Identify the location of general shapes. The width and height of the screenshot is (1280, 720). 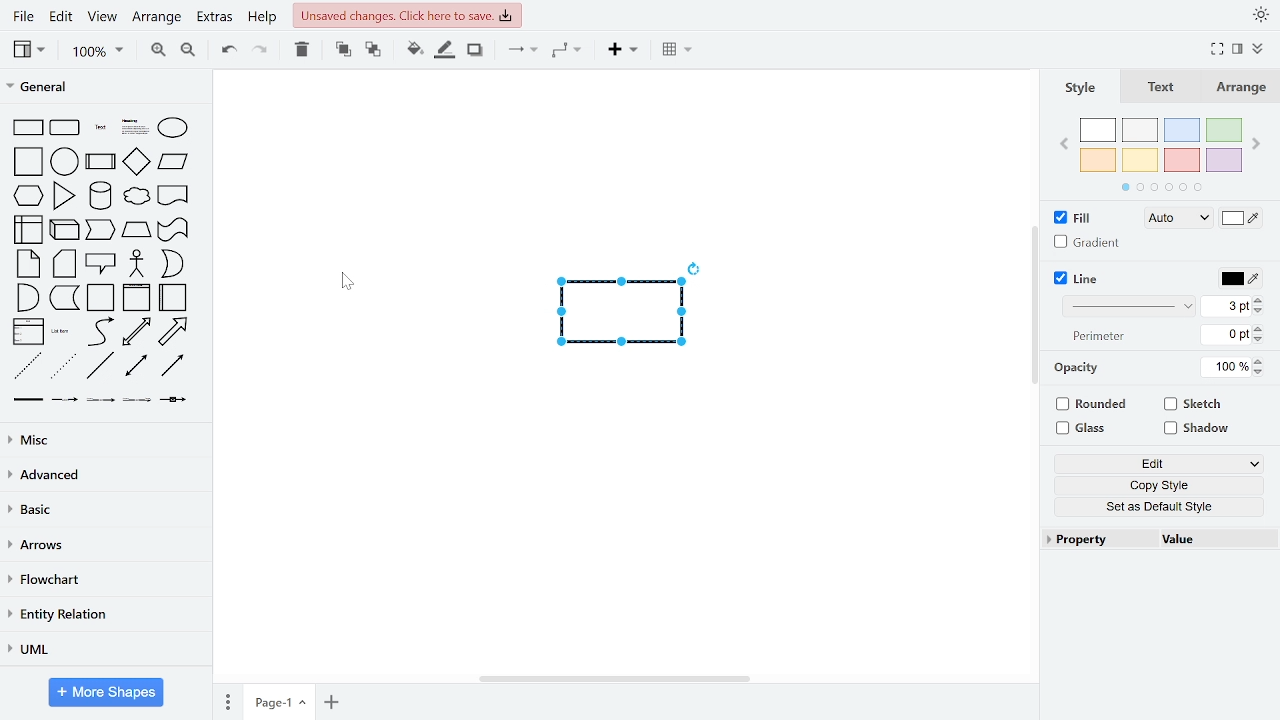
(172, 230).